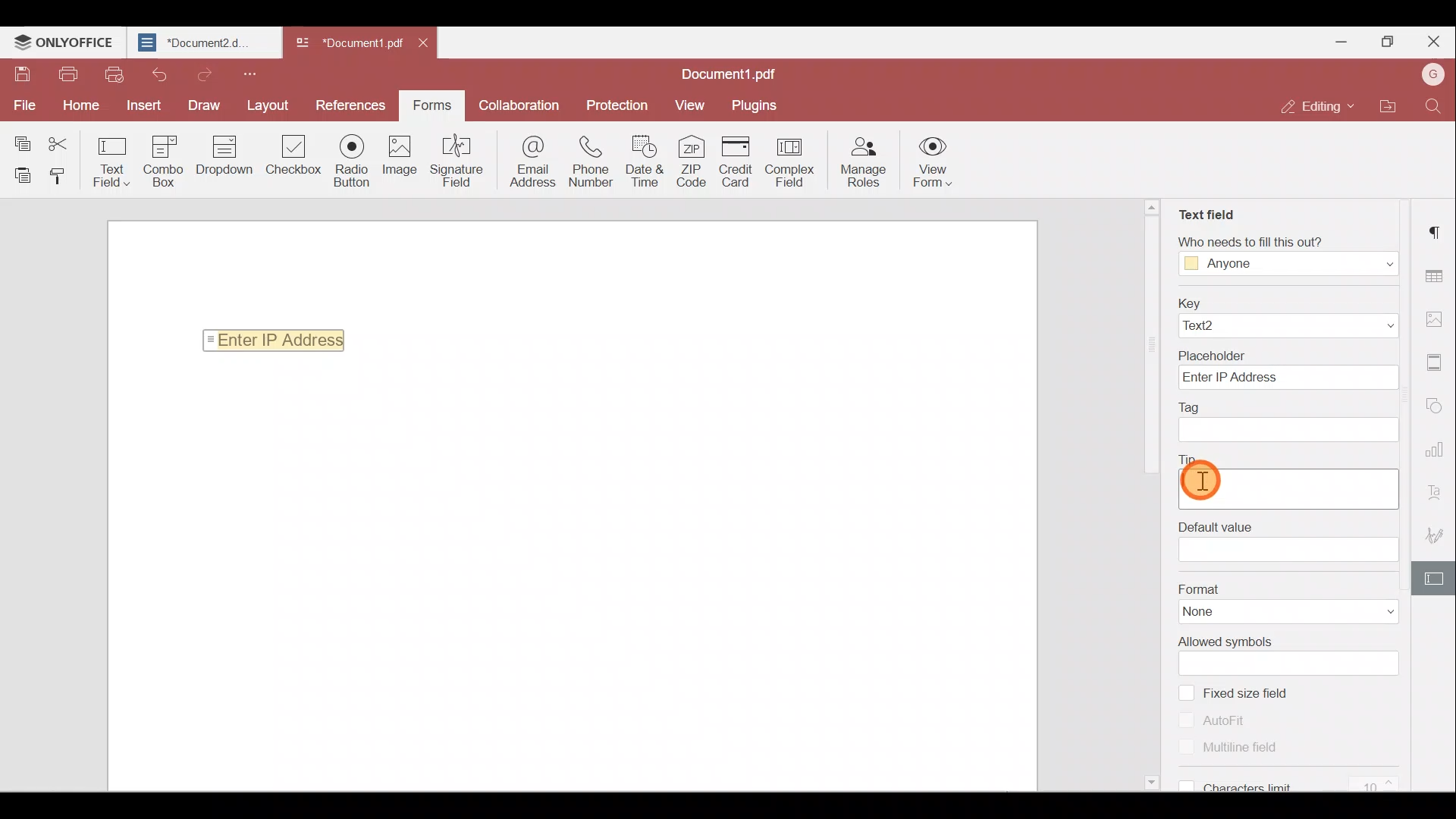 This screenshot has width=1456, height=819. Describe the element at coordinates (1290, 551) in the screenshot. I see `Default value field` at that location.